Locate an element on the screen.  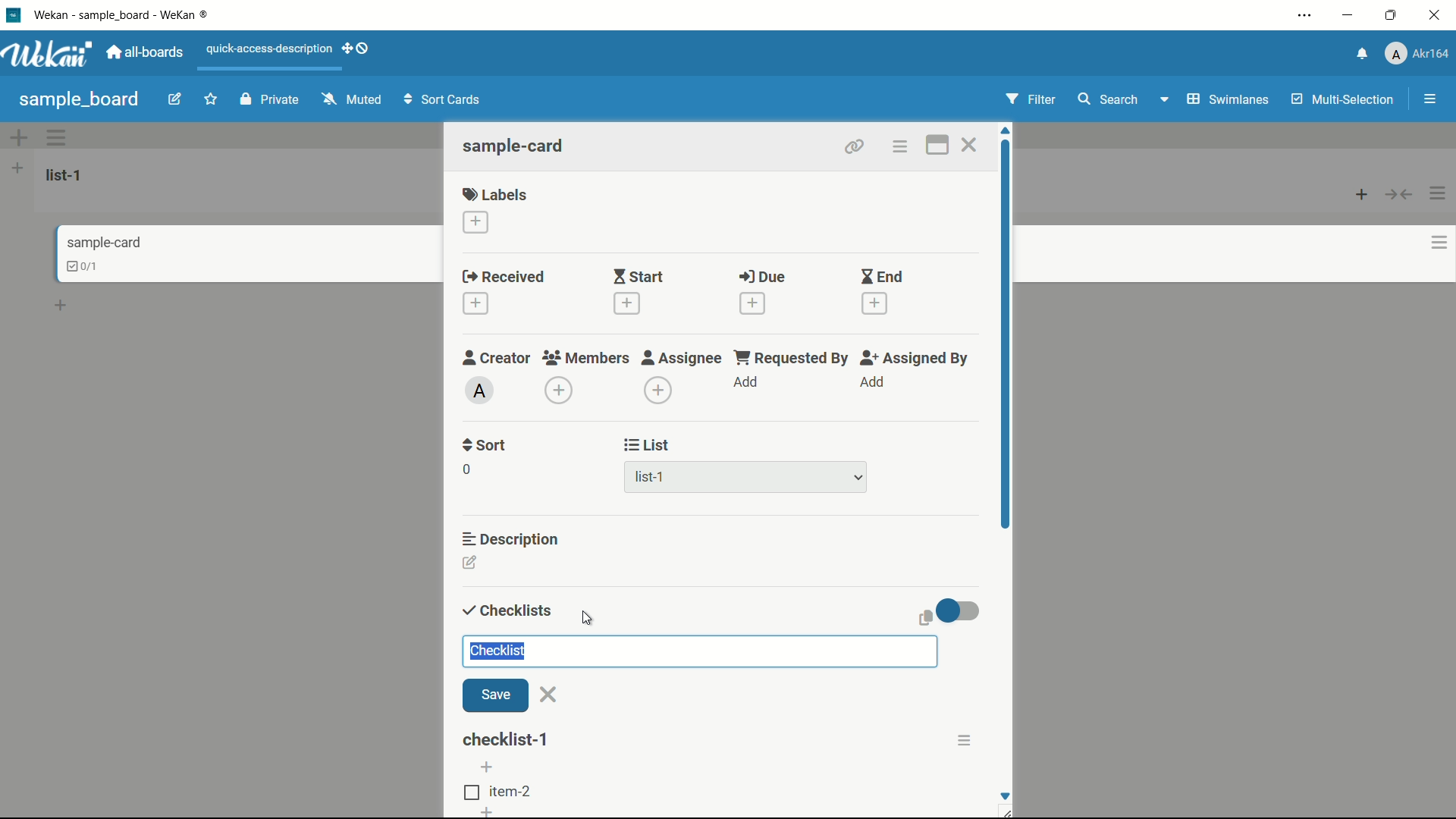
toggle button is located at coordinates (959, 610).